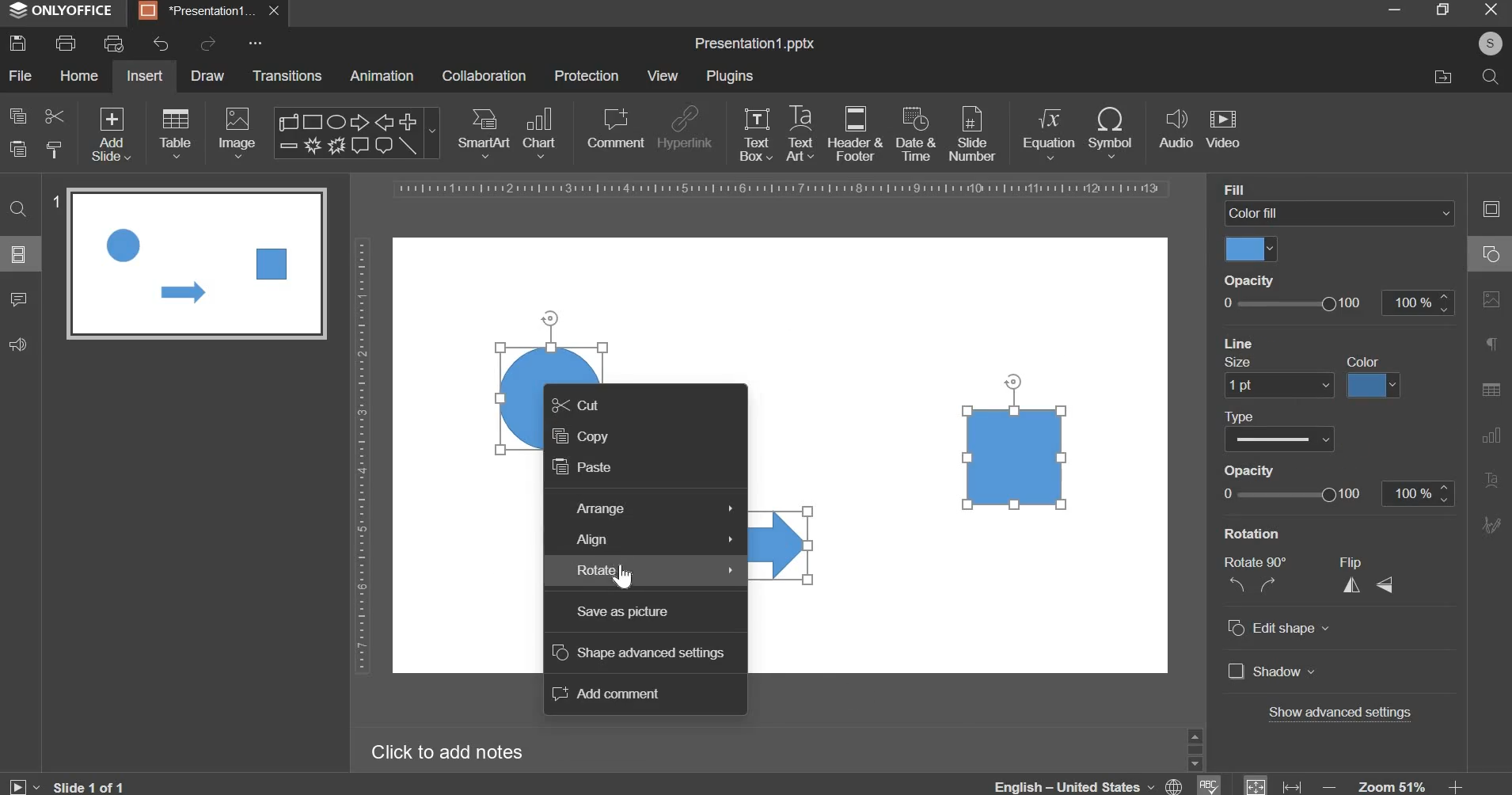 The image size is (1512, 795). I want to click on language, so click(1207, 784).